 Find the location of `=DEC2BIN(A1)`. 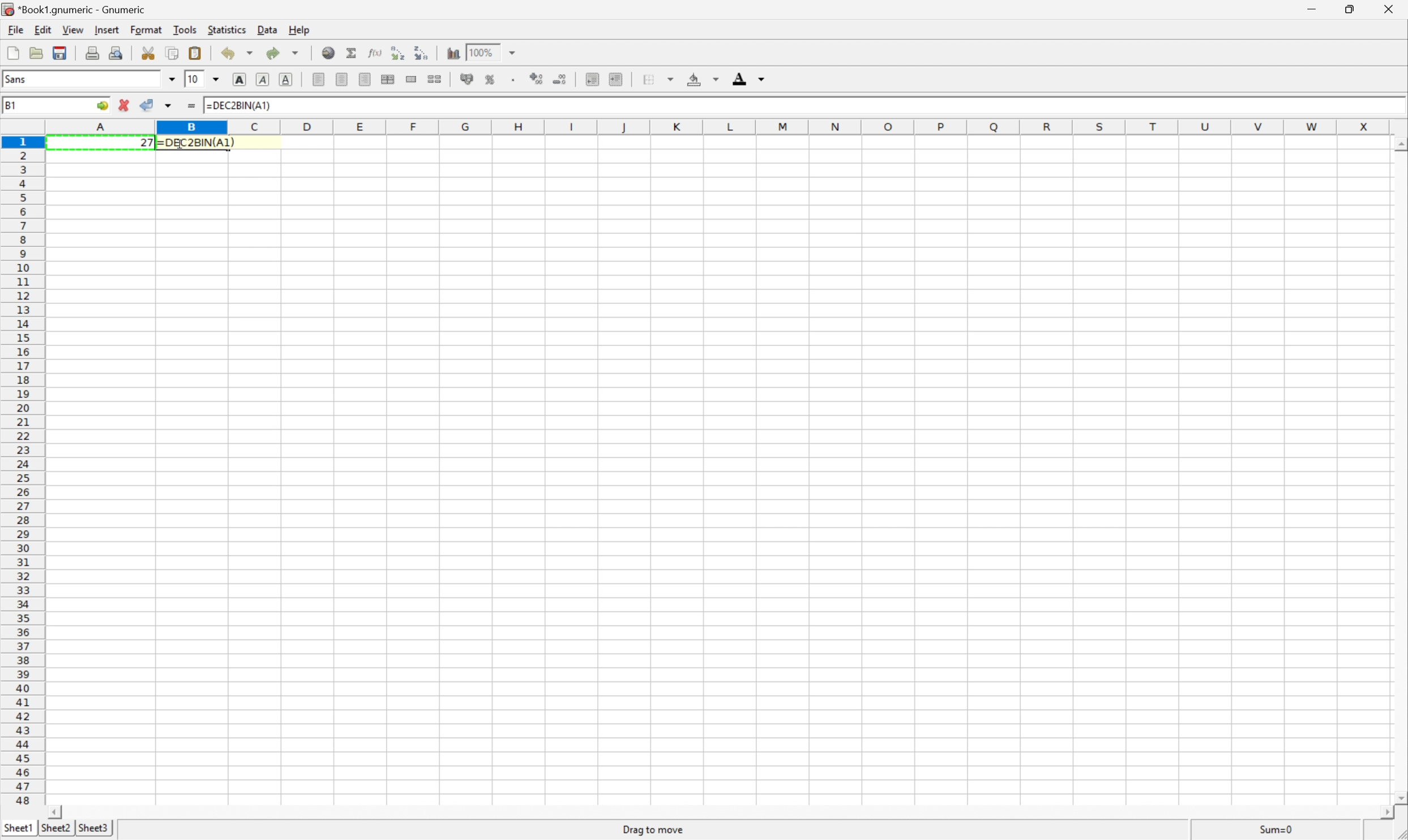

=DEC2BIN(A1) is located at coordinates (196, 142).